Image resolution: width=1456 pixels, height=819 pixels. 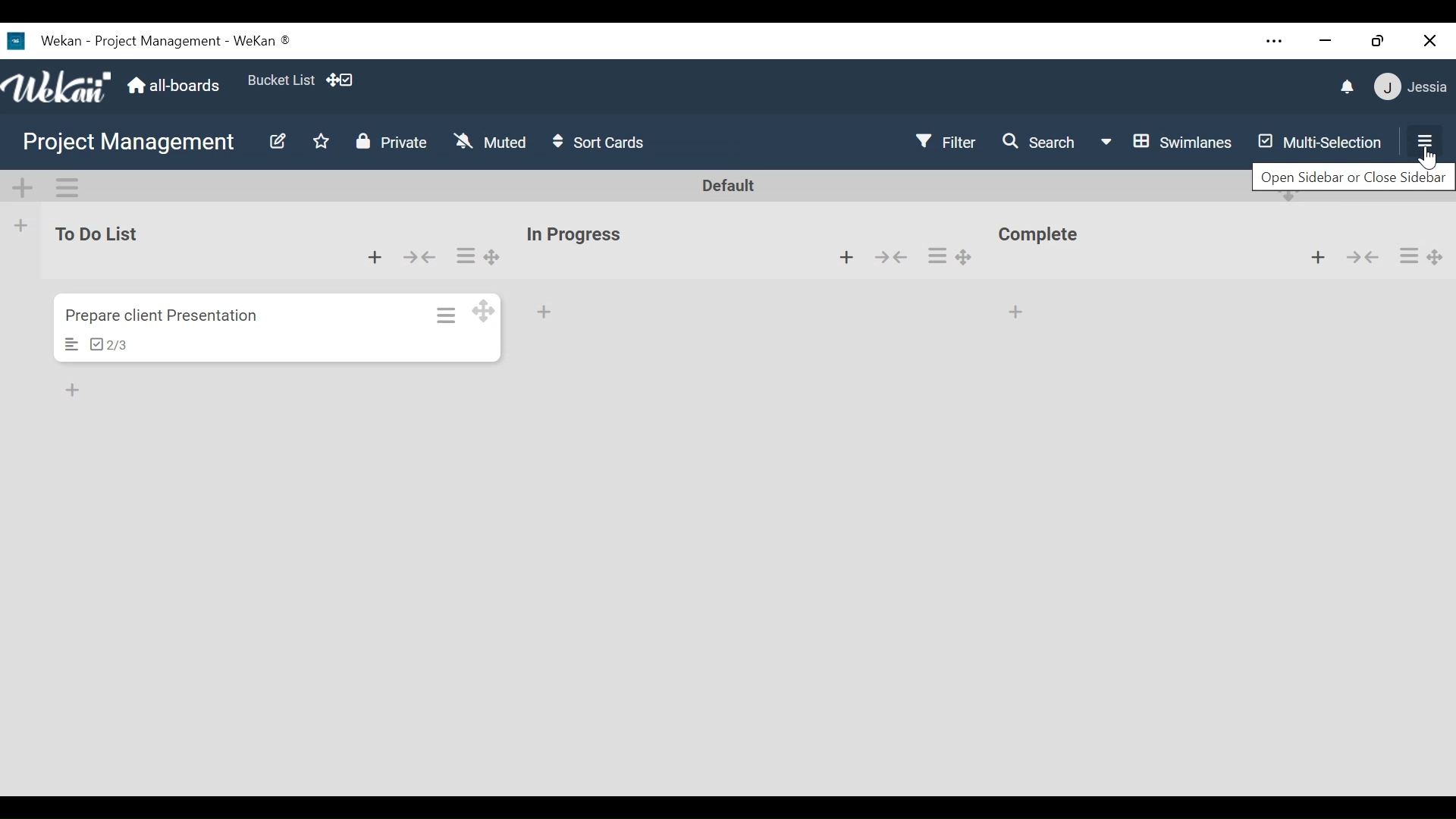 I want to click on Card actions, so click(x=447, y=315).